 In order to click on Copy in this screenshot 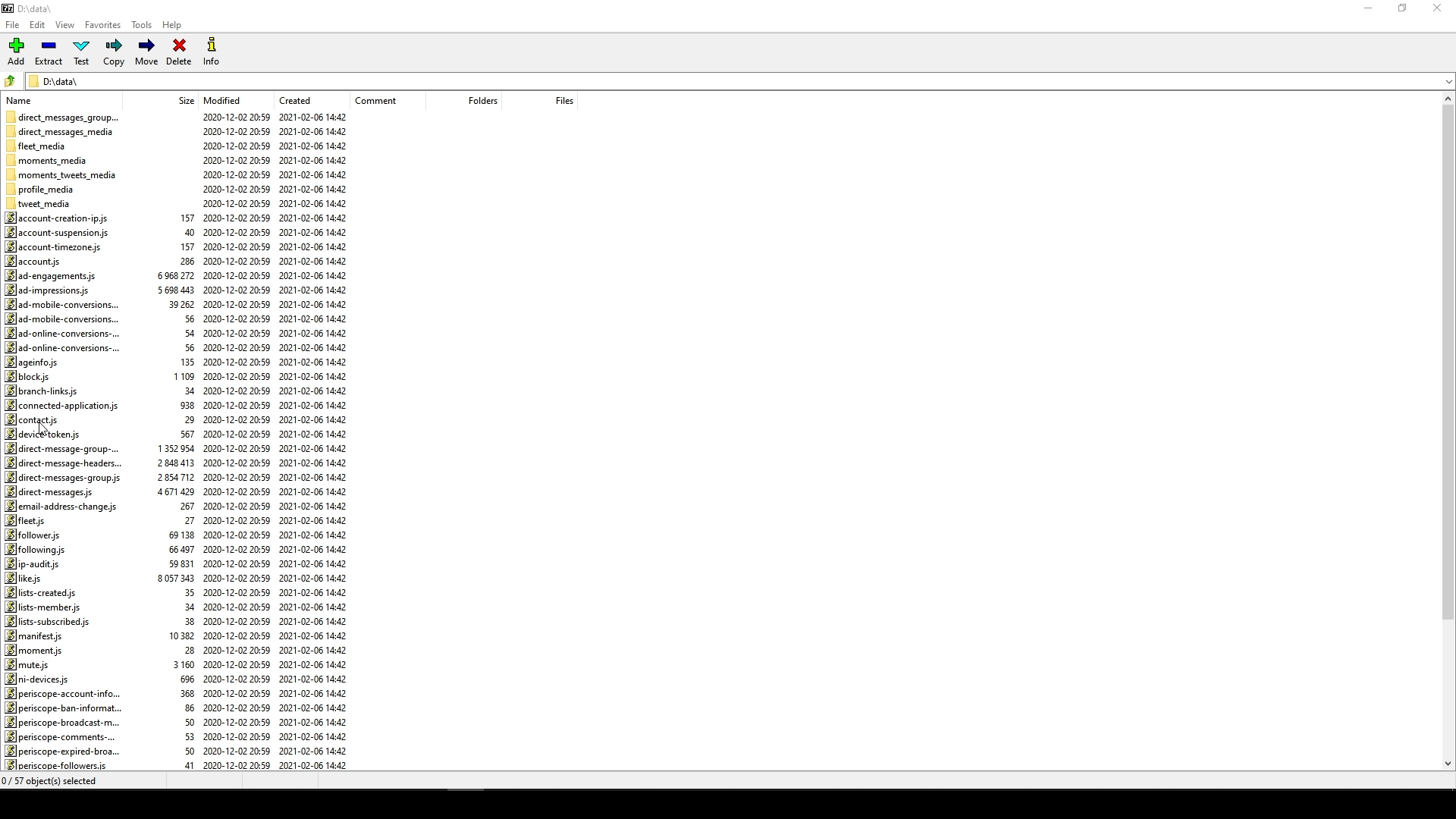, I will do `click(115, 52)`.